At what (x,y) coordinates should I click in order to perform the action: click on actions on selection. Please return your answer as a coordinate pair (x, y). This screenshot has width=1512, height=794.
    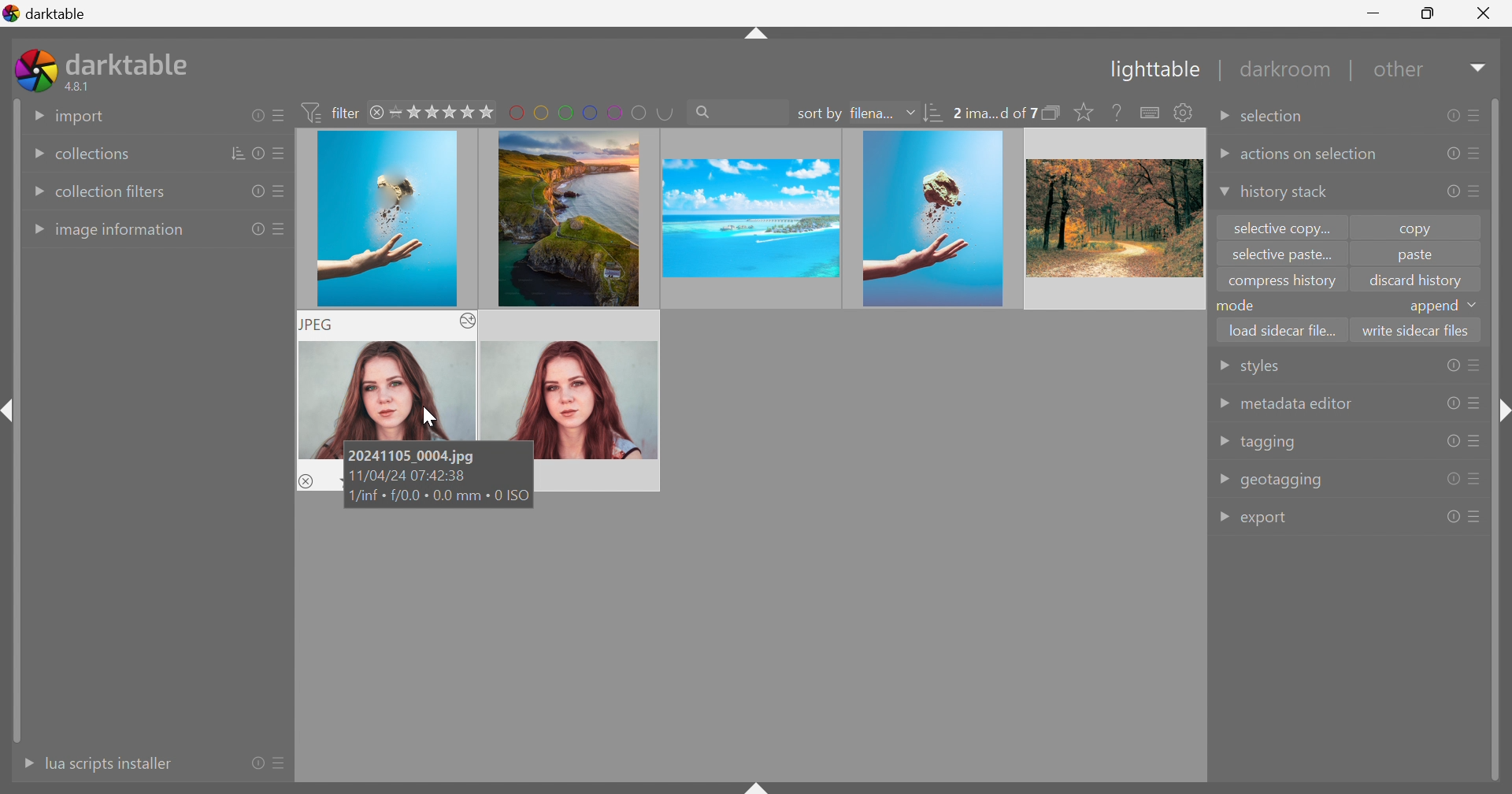
    Looking at the image, I should click on (1310, 155).